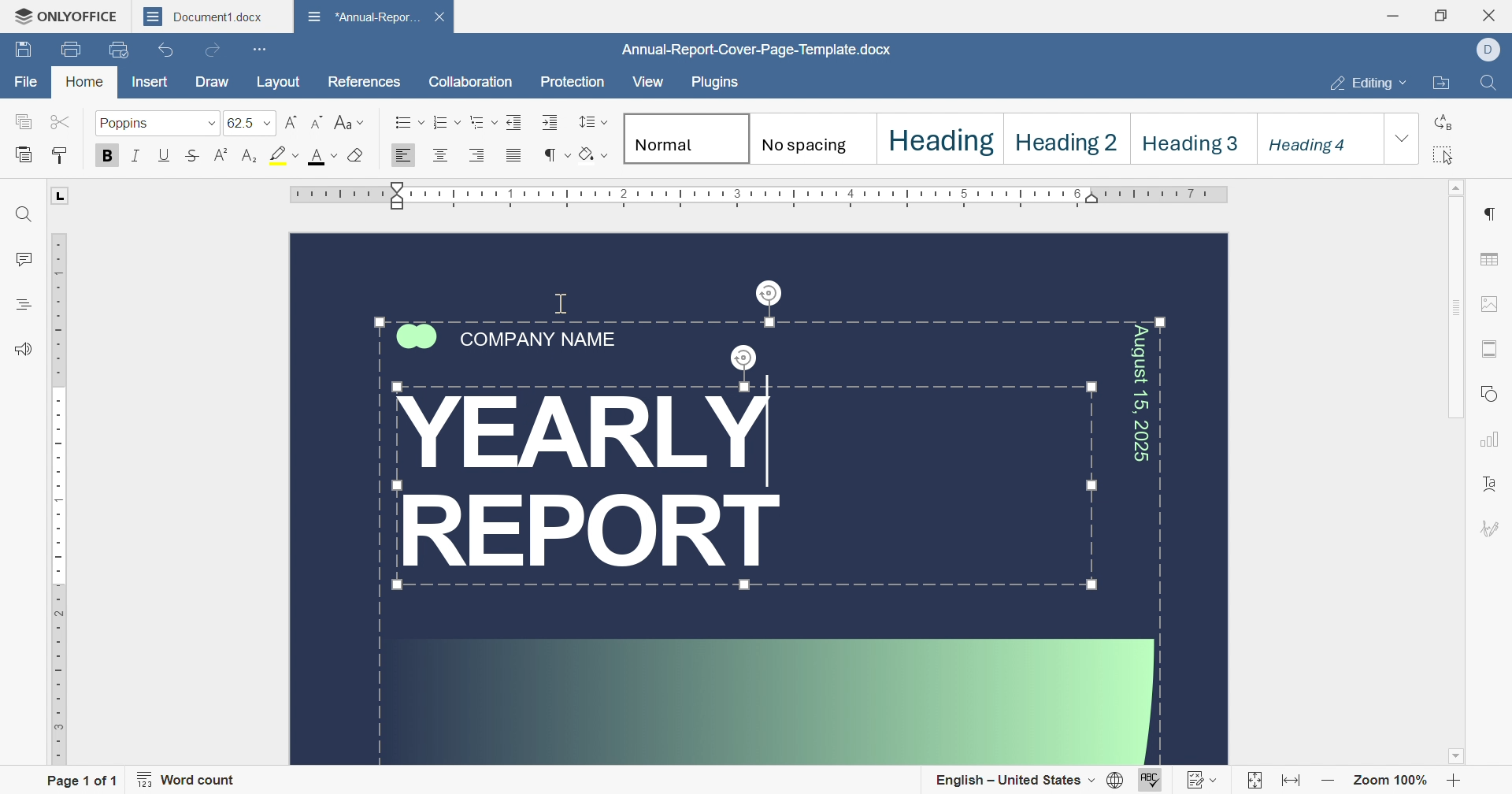 This screenshot has height=794, width=1512. Describe the element at coordinates (28, 85) in the screenshot. I see `file` at that location.